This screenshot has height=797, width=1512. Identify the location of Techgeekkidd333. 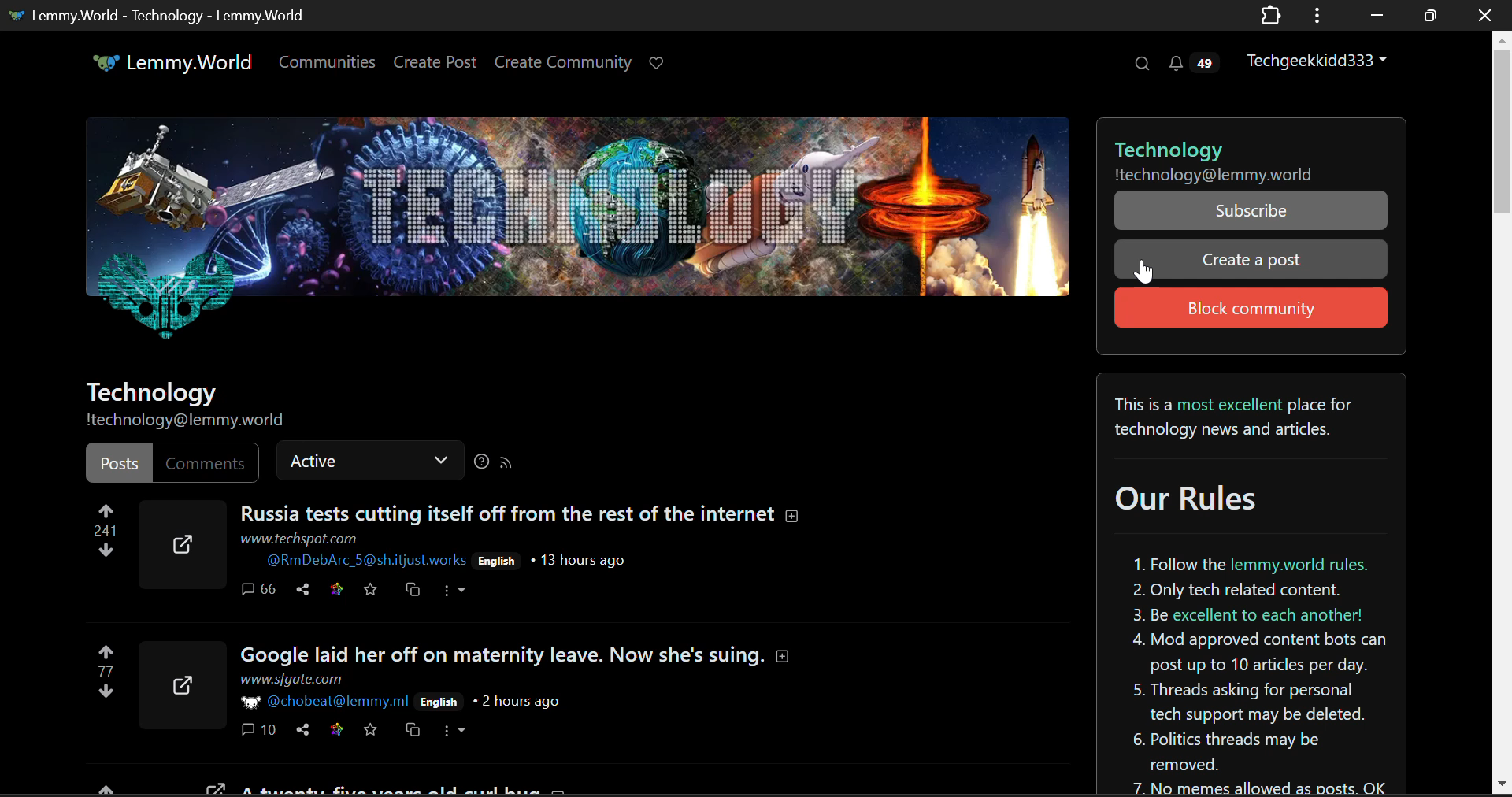
(1318, 58).